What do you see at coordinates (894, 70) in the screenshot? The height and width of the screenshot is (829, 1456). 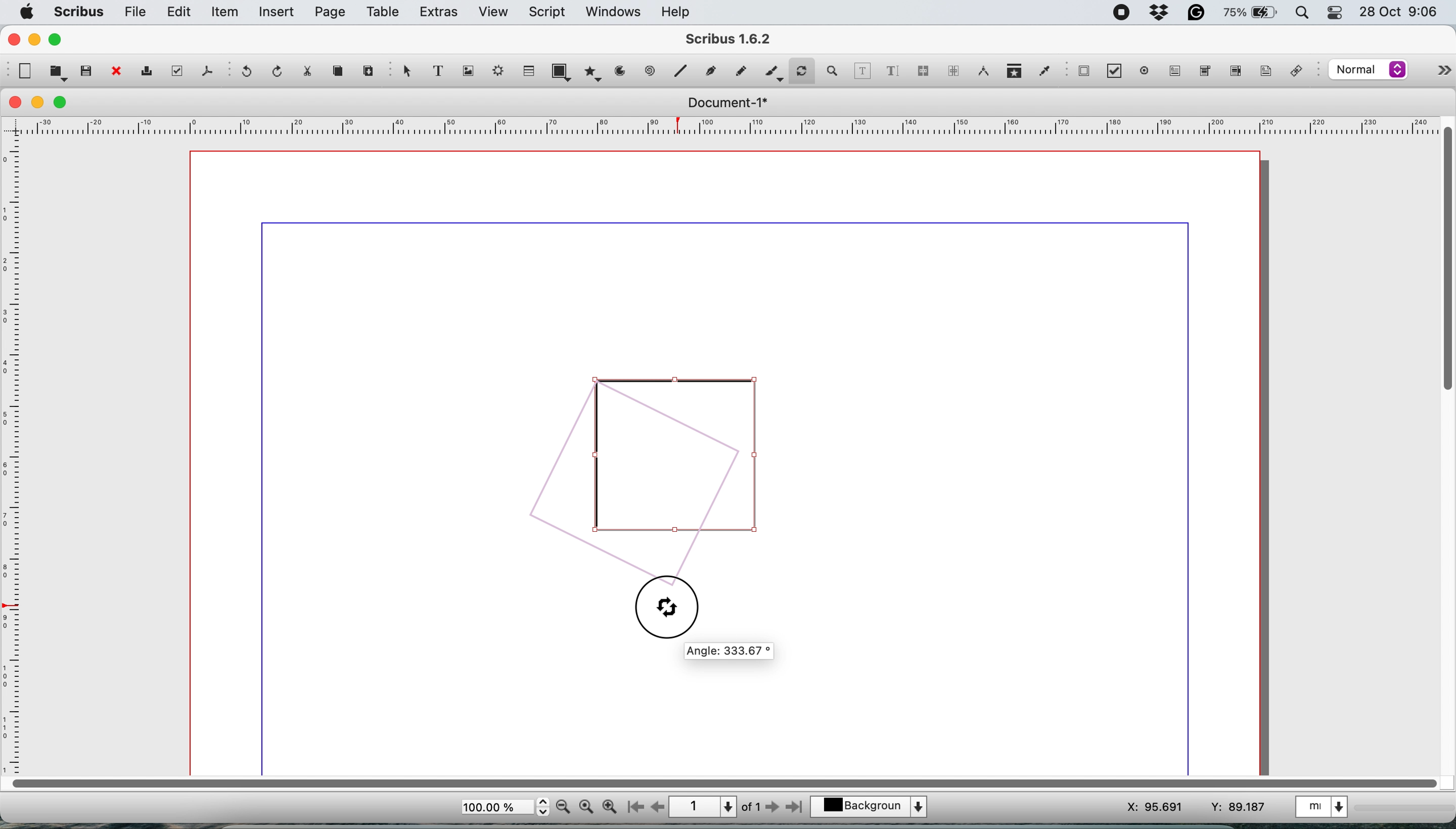 I see `edit text with story editor` at bounding box center [894, 70].